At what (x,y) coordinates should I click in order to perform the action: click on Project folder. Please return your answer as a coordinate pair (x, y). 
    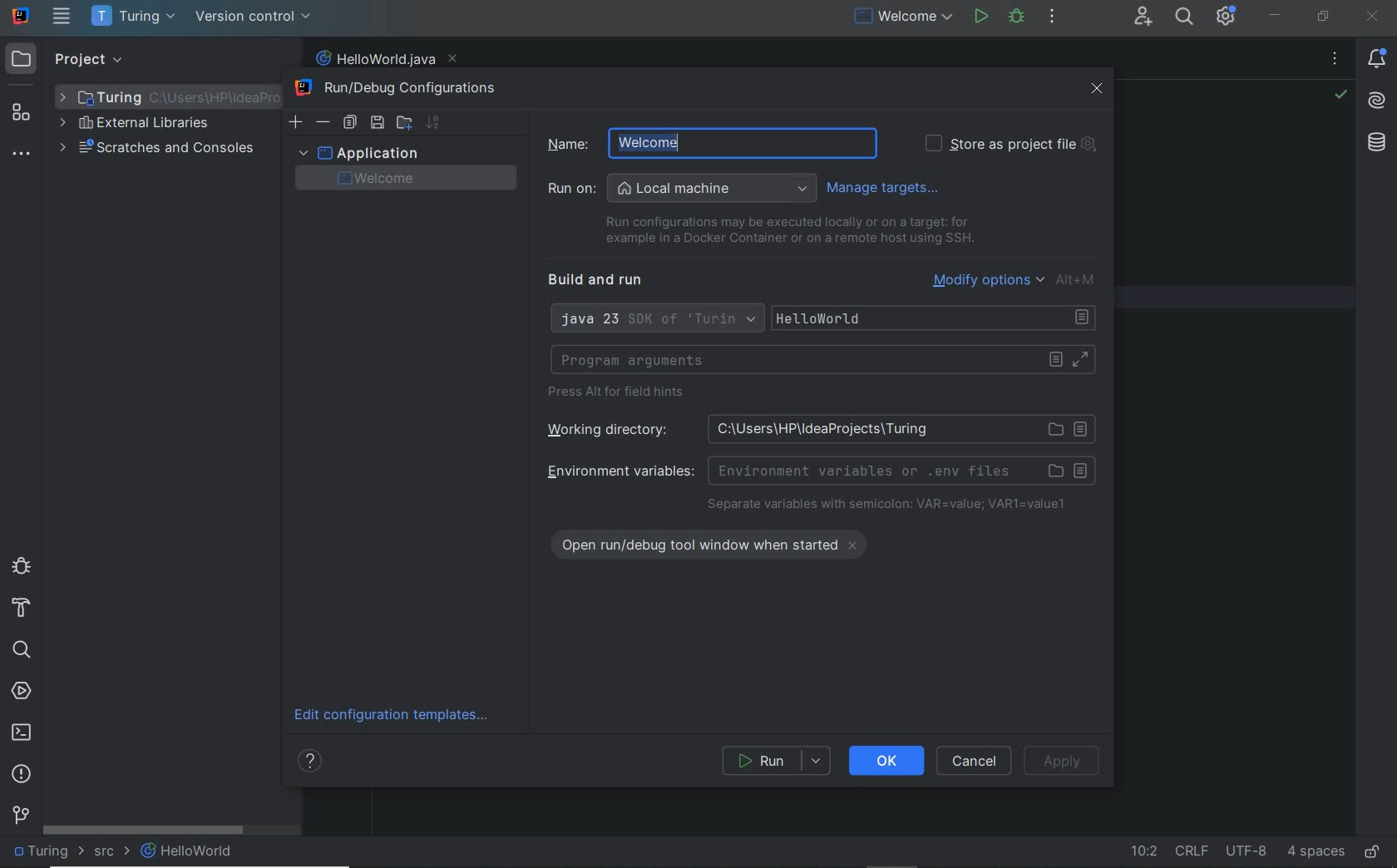
    Looking at the image, I should click on (163, 96).